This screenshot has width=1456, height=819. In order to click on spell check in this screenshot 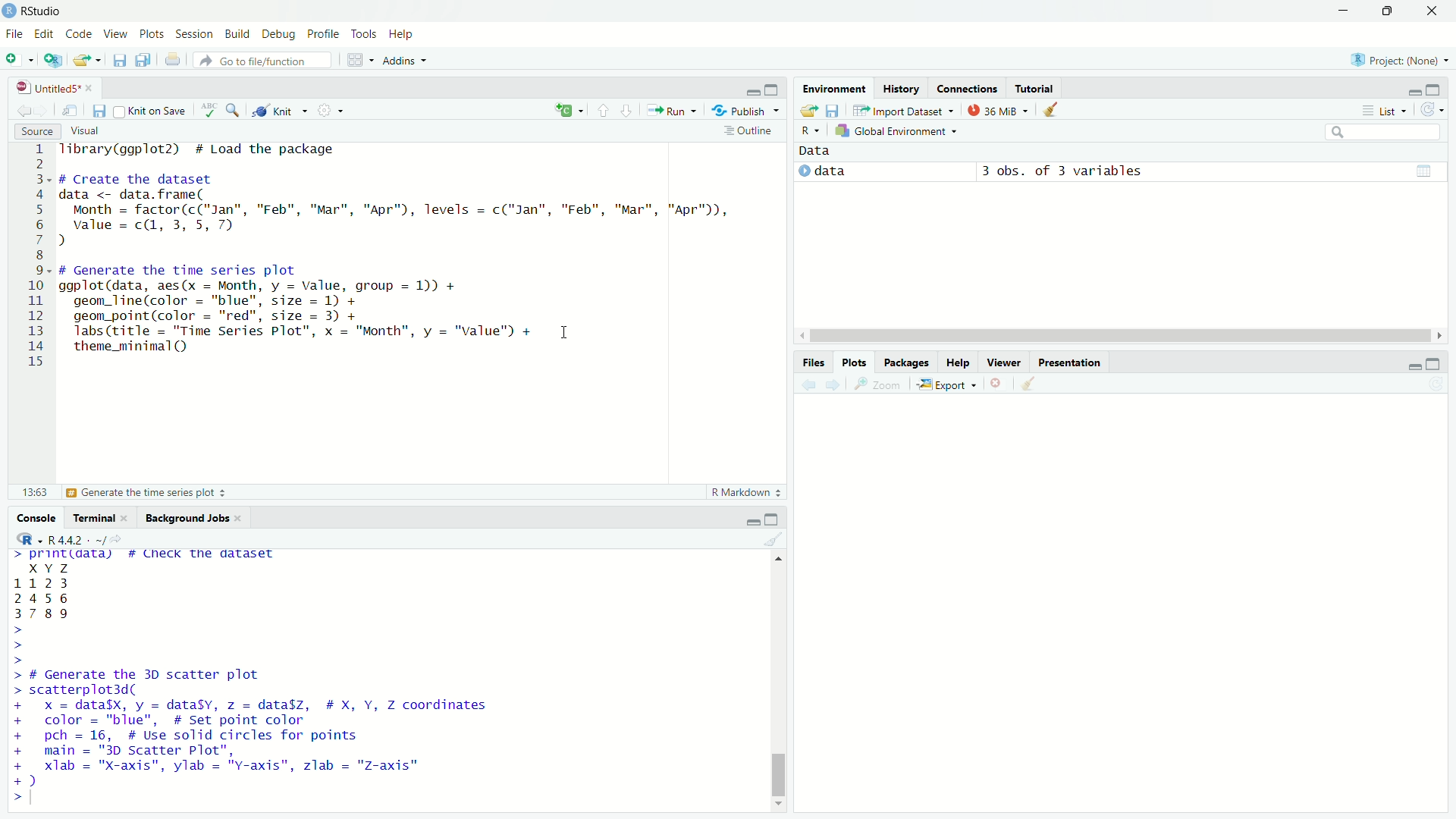, I will do `click(206, 109)`.